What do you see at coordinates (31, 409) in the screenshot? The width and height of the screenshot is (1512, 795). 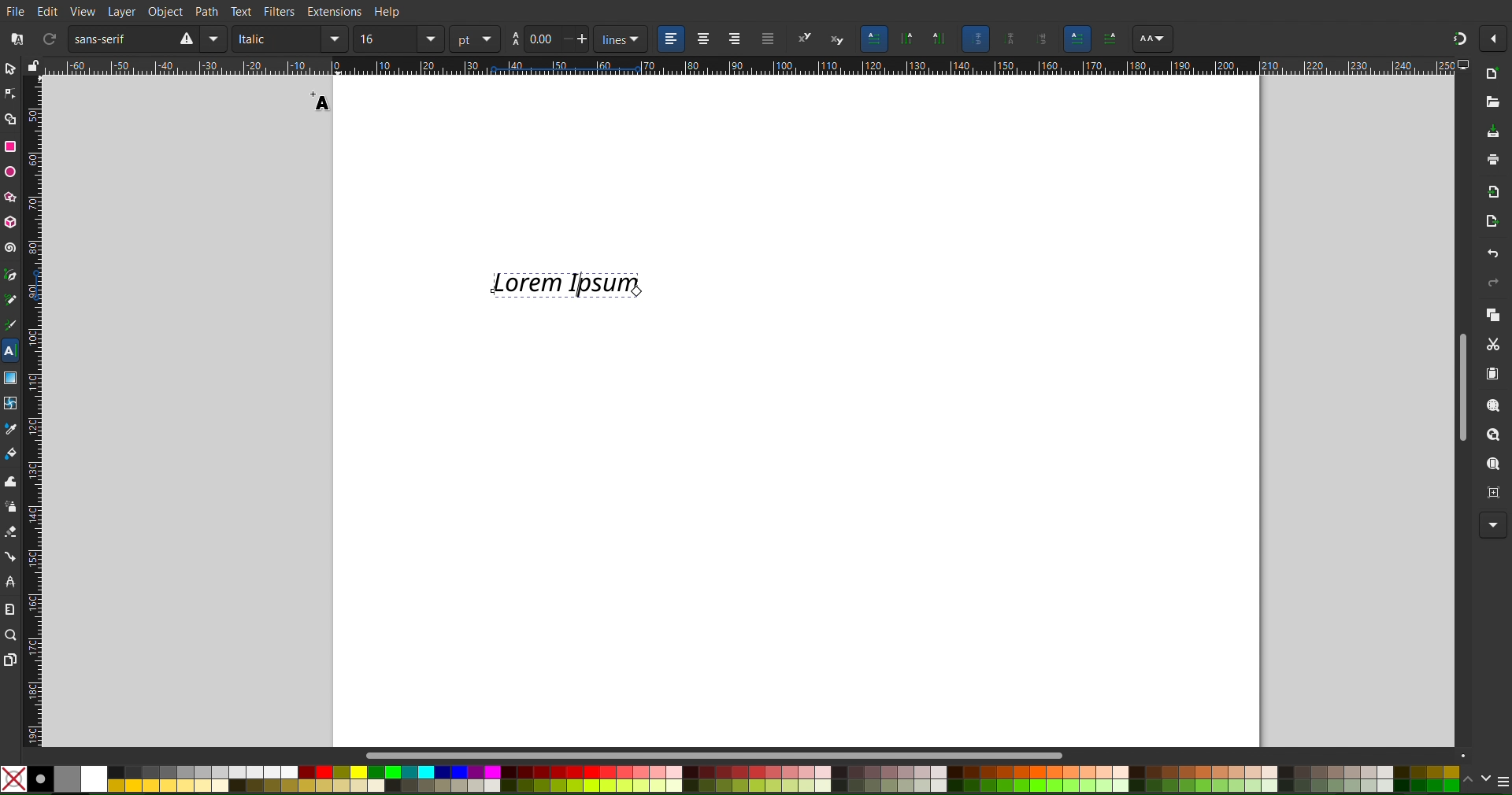 I see `Vertical Ruler` at bounding box center [31, 409].